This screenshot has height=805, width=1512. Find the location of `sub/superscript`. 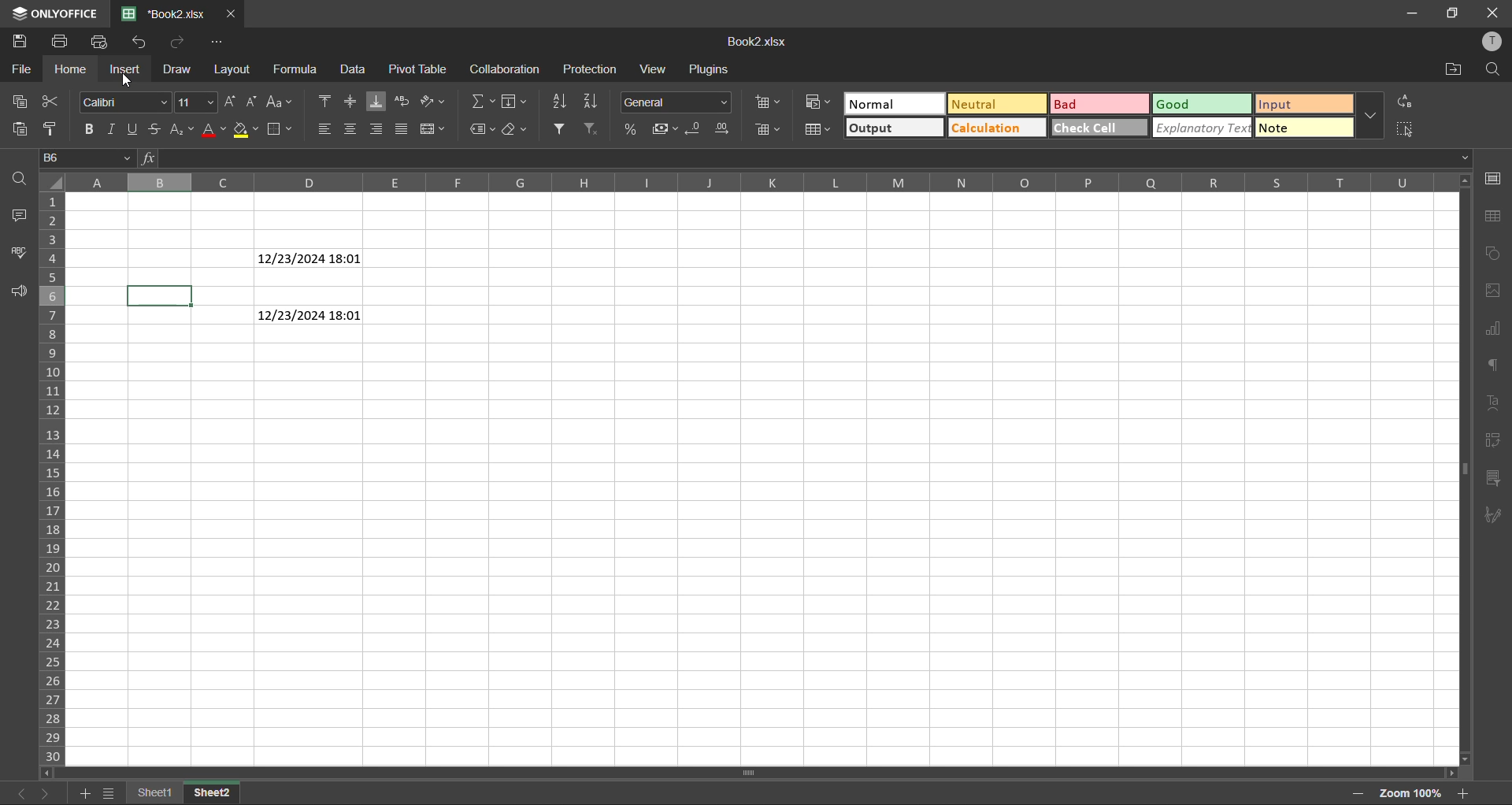

sub/superscript is located at coordinates (182, 127).